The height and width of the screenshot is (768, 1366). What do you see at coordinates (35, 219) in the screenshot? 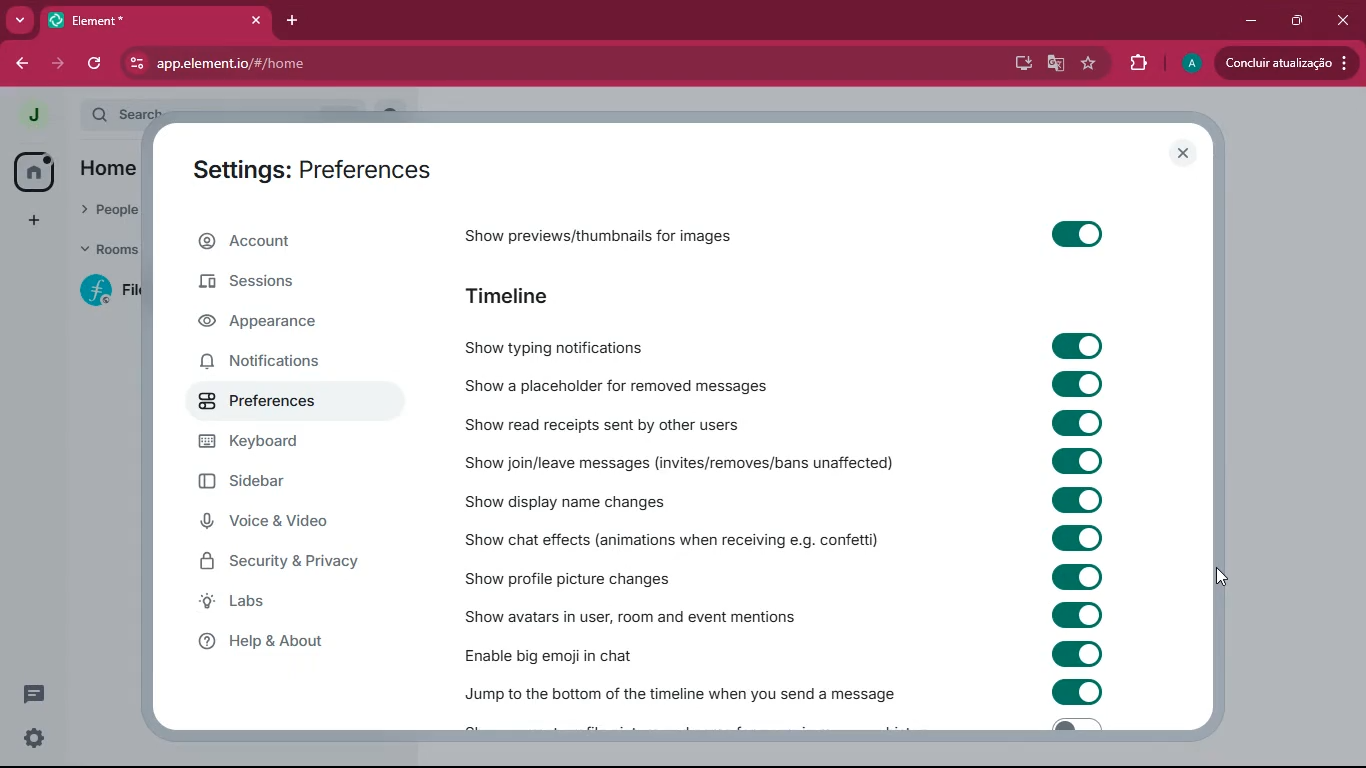
I see `add` at bounding box center [35, 219].